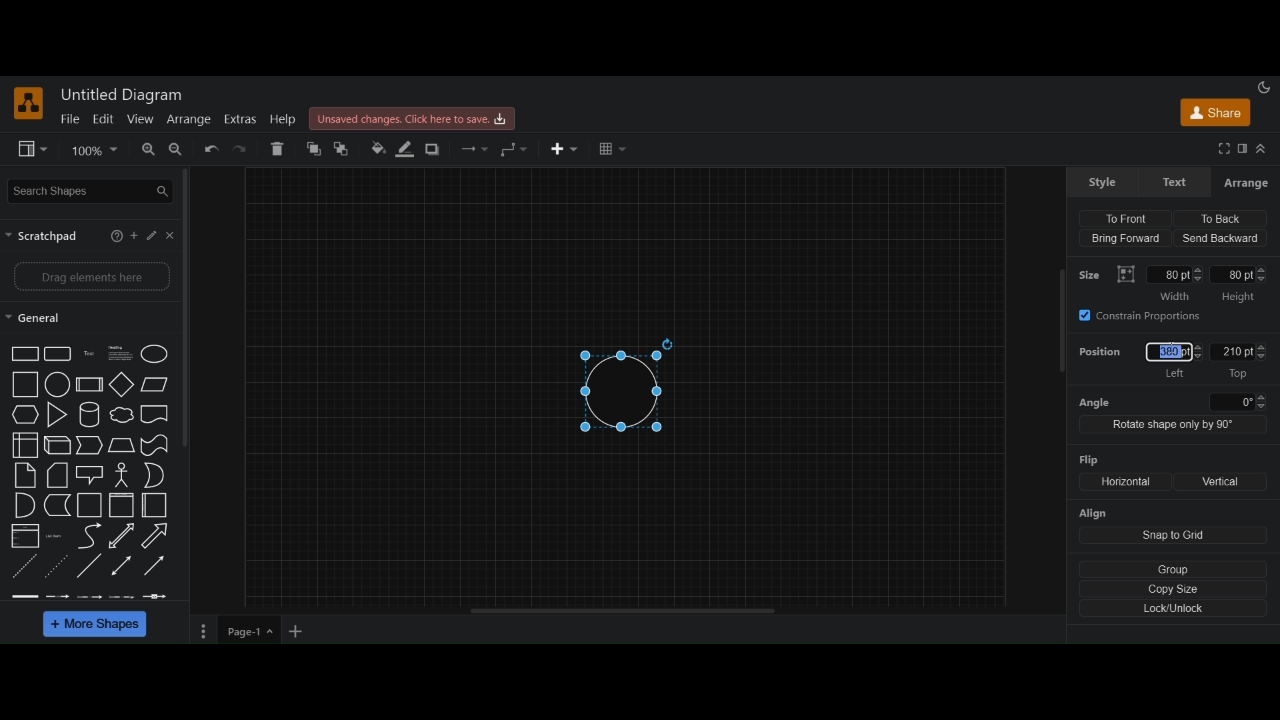  I want to click on insert, so click(567, 149).